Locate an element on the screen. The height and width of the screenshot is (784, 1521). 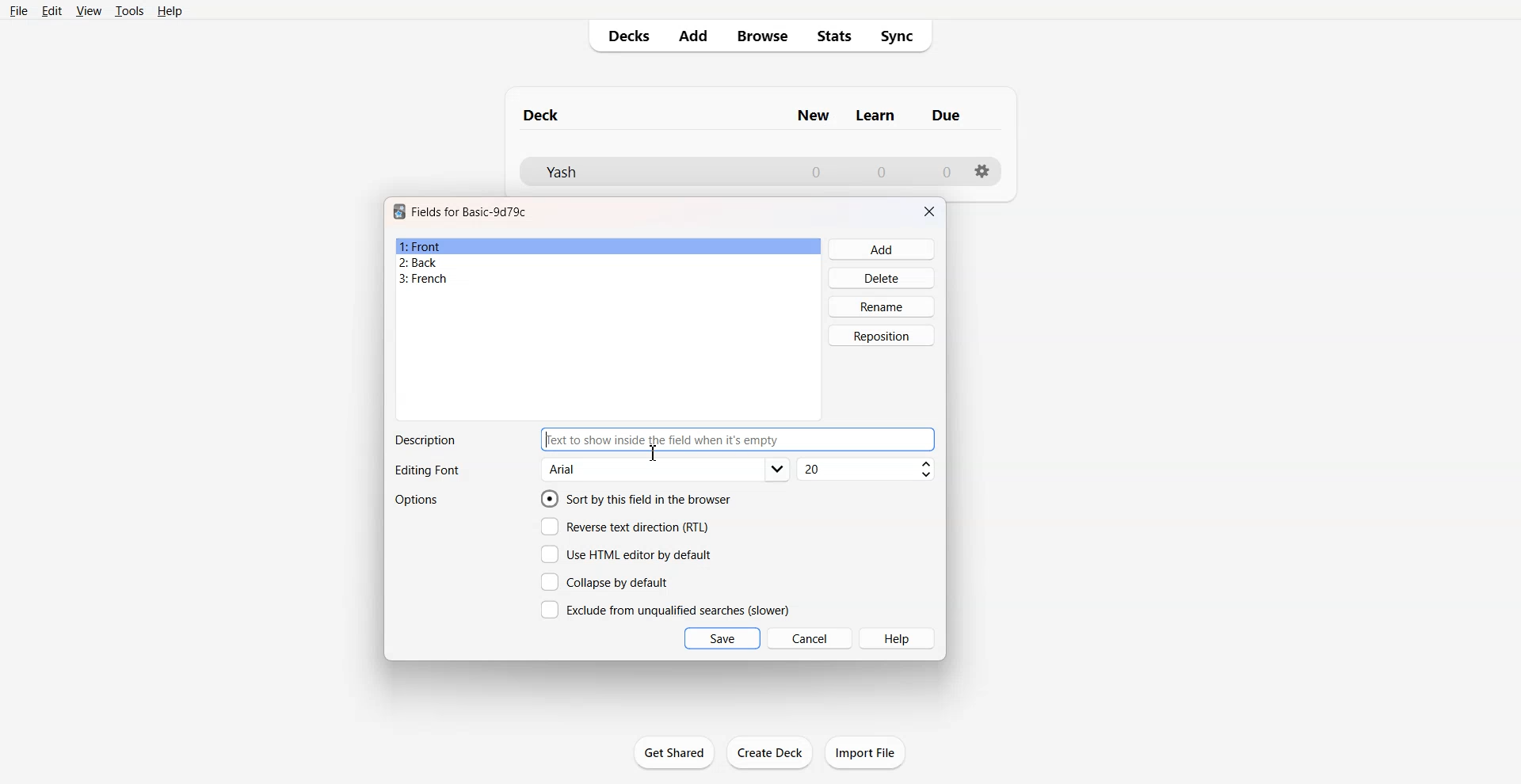
File is located at coordinates (17, 10).